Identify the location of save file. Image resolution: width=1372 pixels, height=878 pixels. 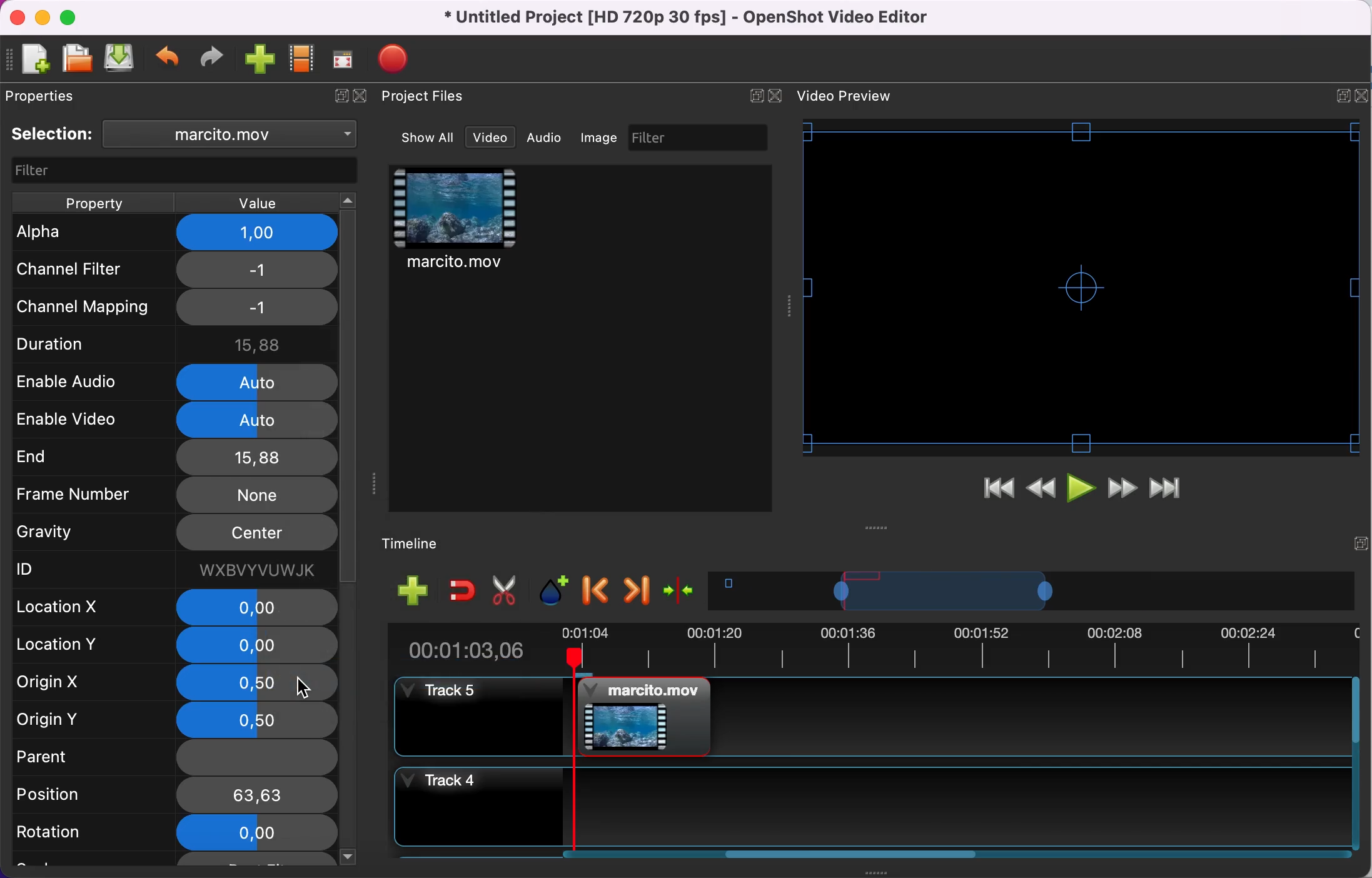
(121, 58).